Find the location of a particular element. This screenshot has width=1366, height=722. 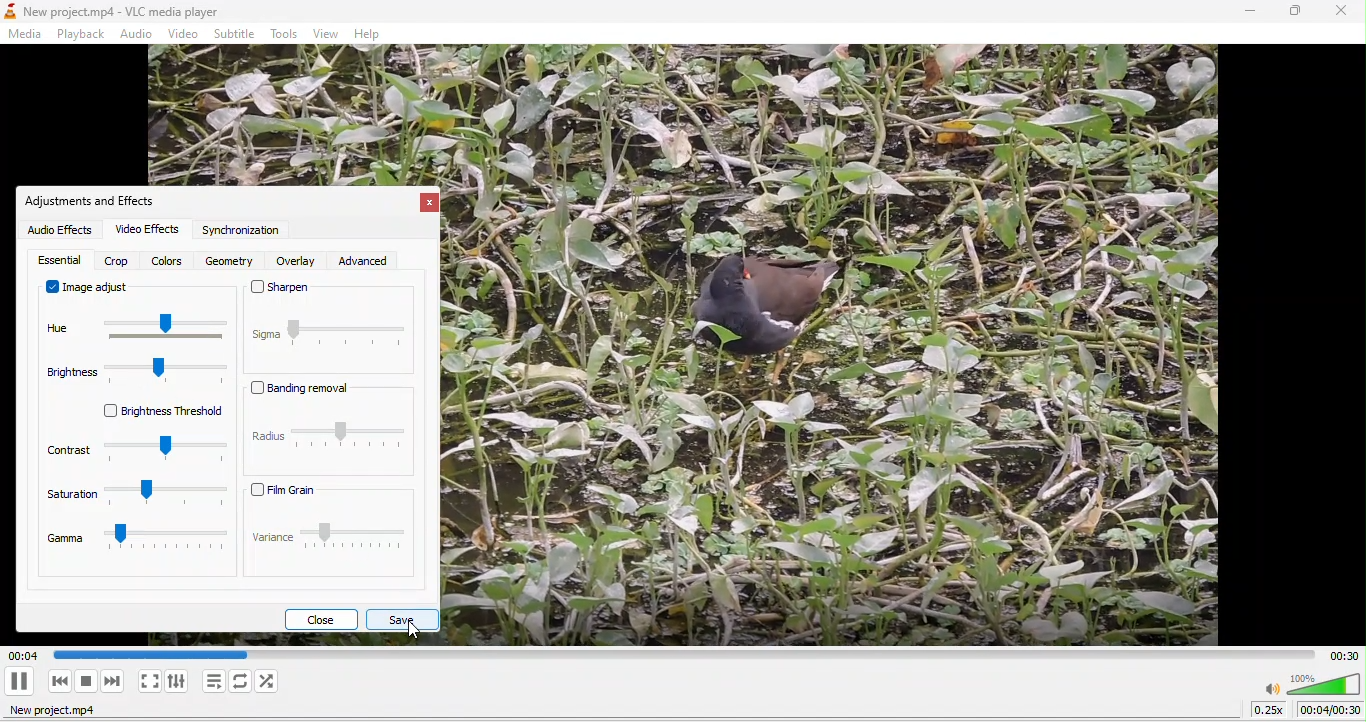

gama is located at coordinates (134, 546).